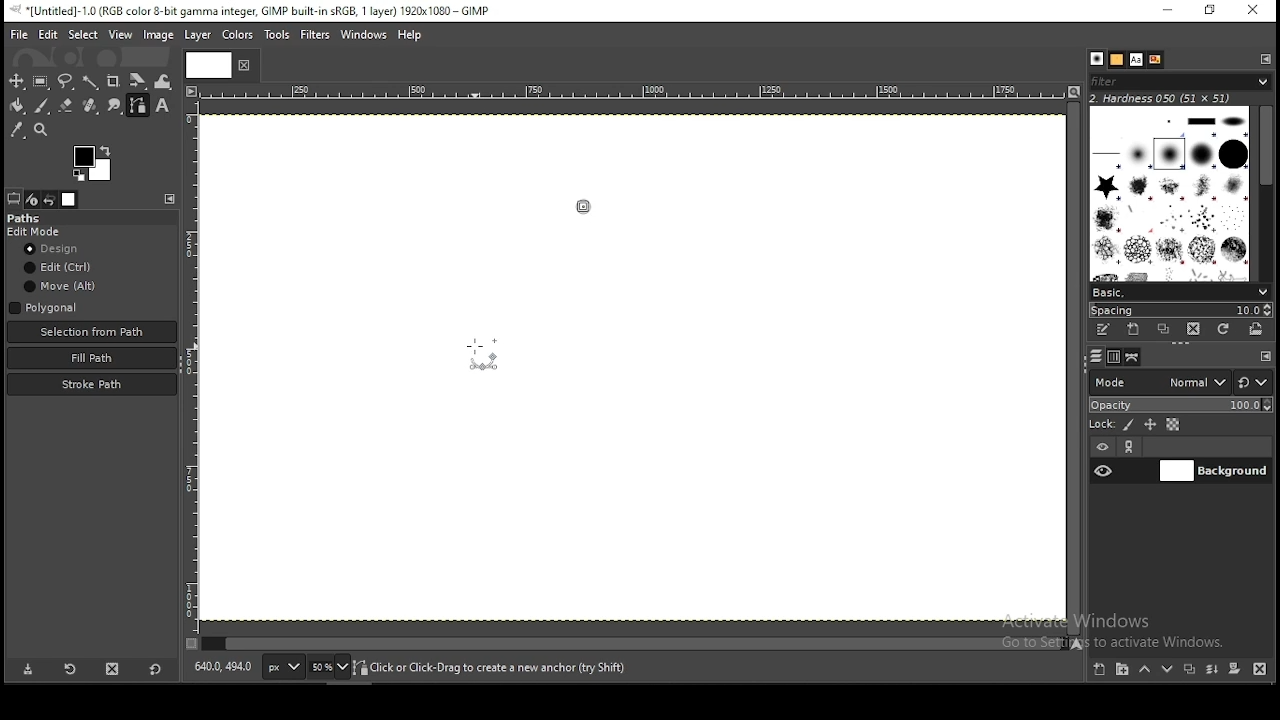 This screenshot has height=720, width=1280. What do you see at coordinates (25, 670) in the screenshot?
I see `save tool preset` at bounding box center [25, 670].